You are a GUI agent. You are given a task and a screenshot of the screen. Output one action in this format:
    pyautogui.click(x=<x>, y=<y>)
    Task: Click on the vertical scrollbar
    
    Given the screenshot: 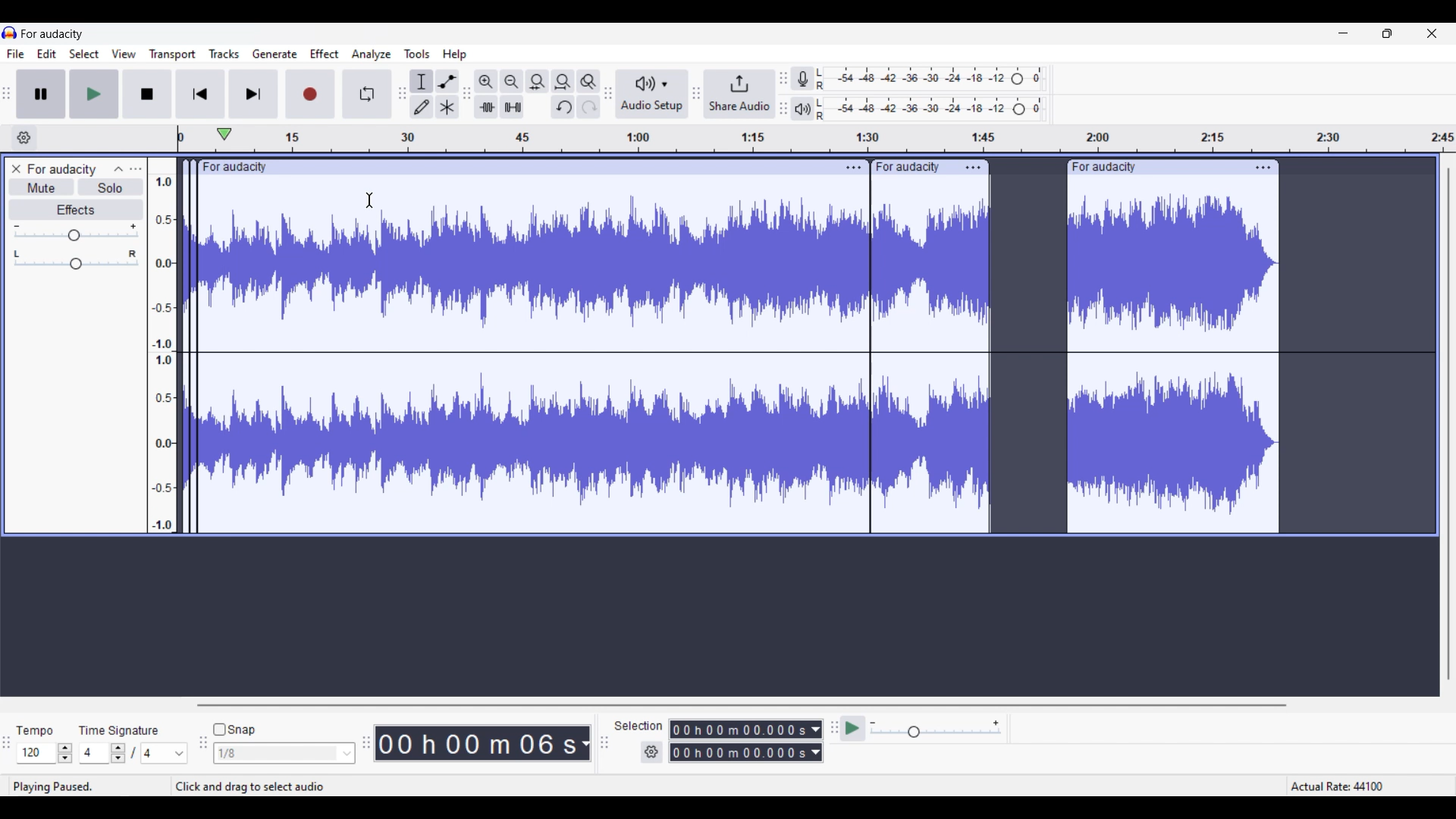 What is the action you would take?
    pyautogui.click(x=1449, y=425)
    